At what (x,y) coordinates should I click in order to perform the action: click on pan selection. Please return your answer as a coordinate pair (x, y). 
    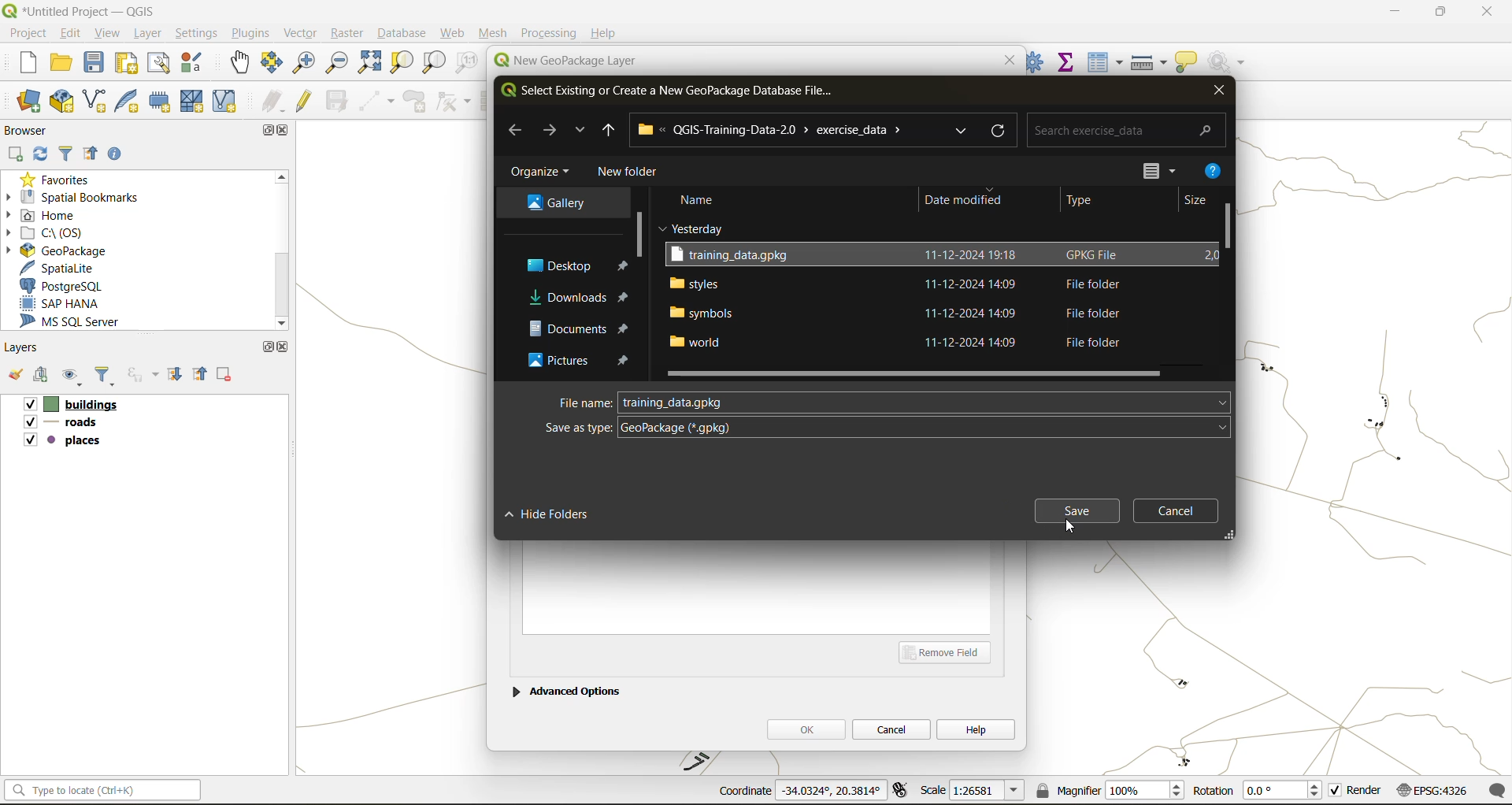
    Looking at the image, I should click on (272, 63).